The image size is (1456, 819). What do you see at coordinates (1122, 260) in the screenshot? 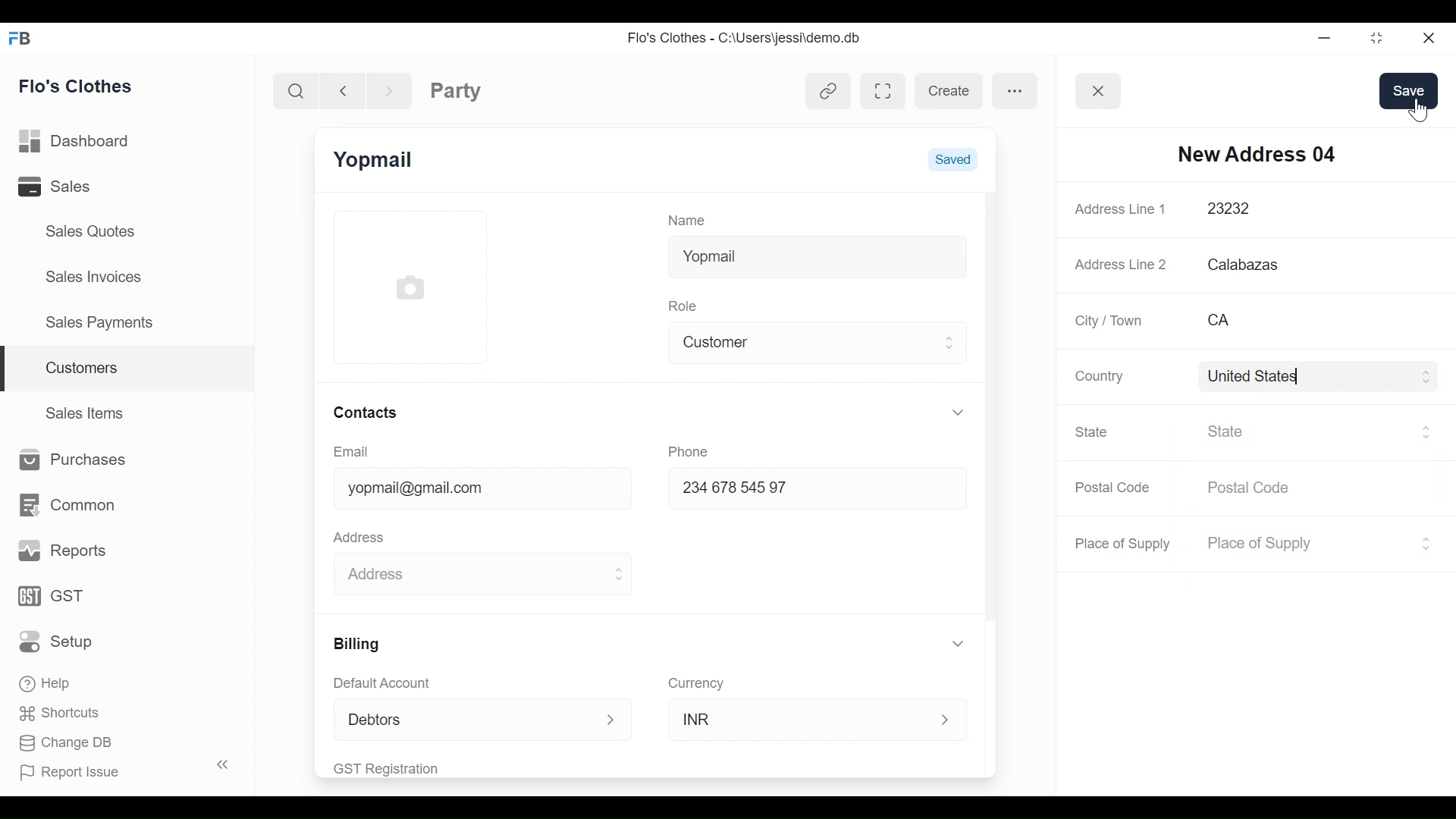
I see `Address Line 2` at bounding box center [1122, 260].